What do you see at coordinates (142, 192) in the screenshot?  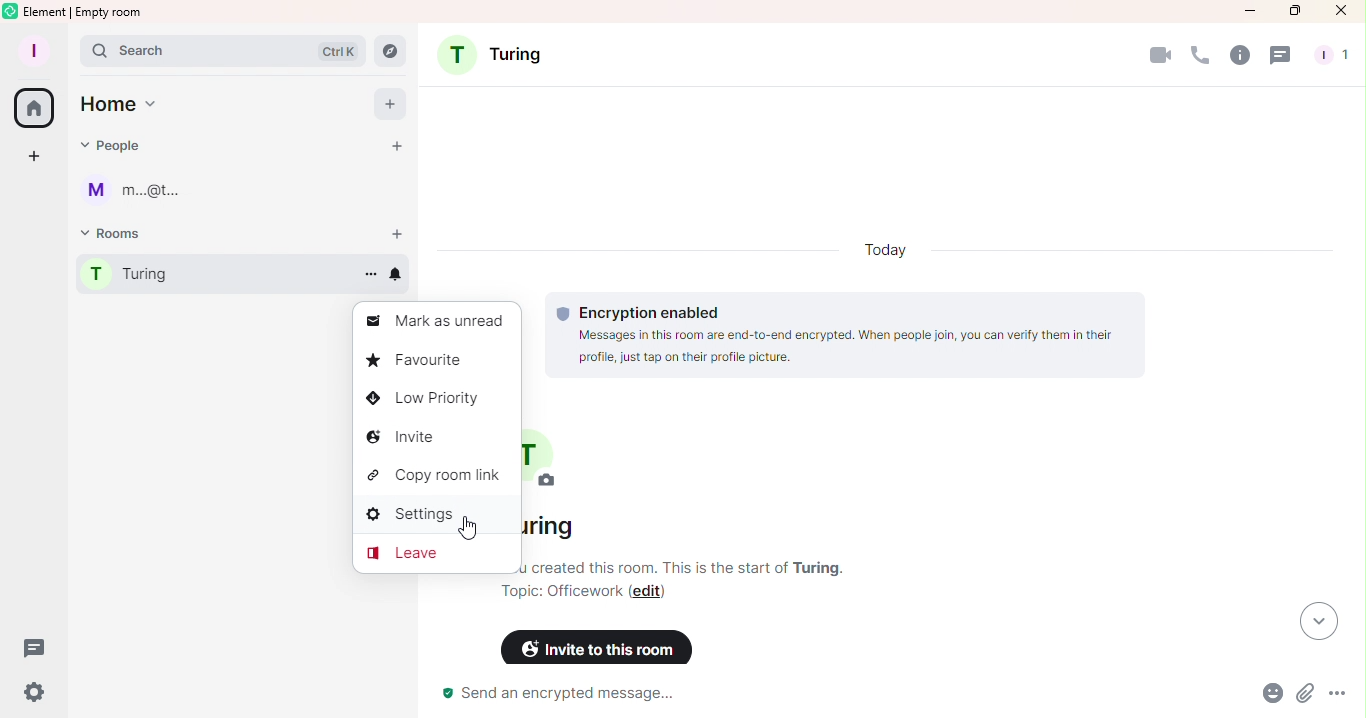 I see `User` at bounding box center [142, 192].